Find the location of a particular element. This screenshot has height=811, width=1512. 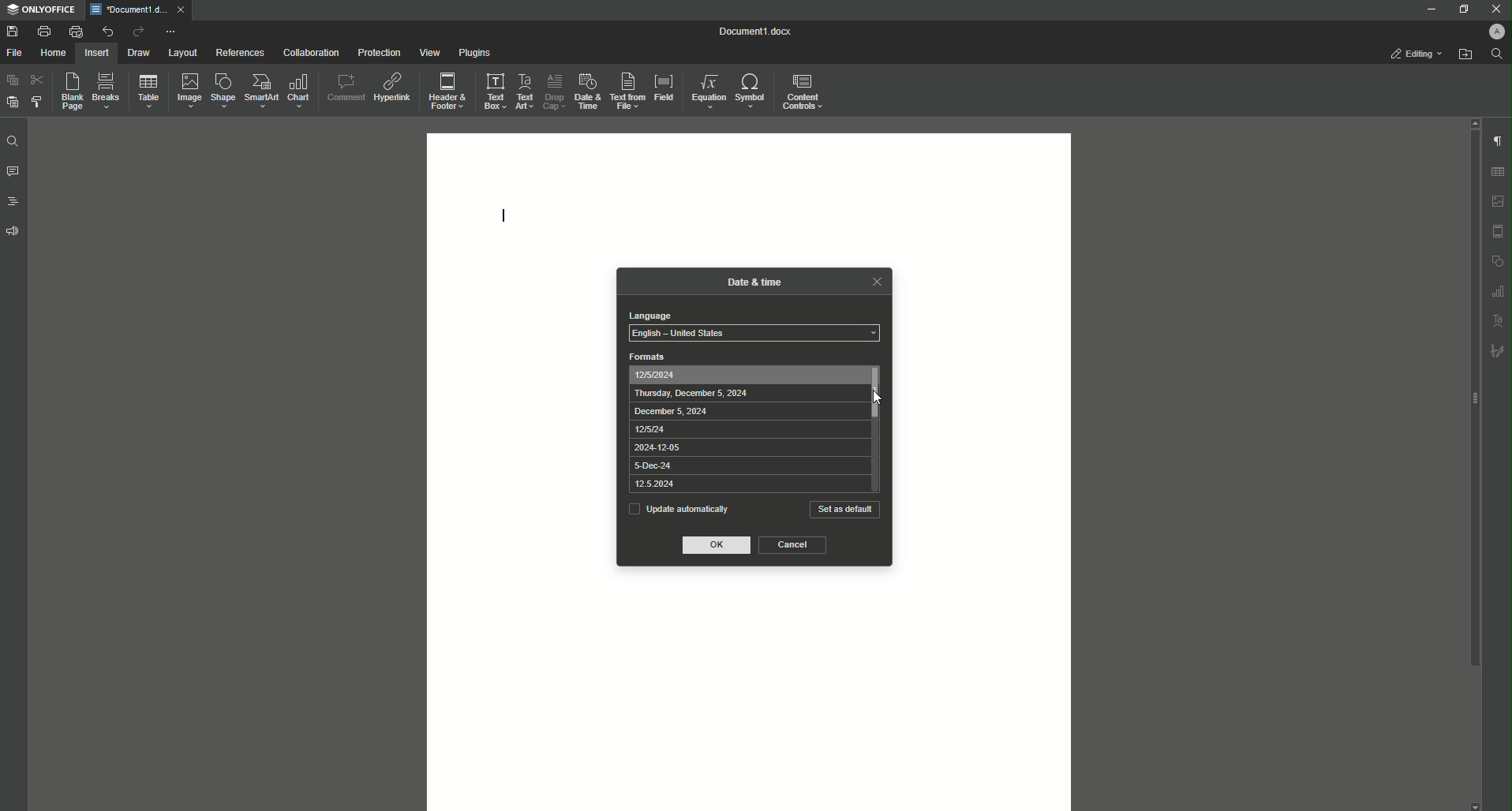

Cut is located at coordinates (36, 80).